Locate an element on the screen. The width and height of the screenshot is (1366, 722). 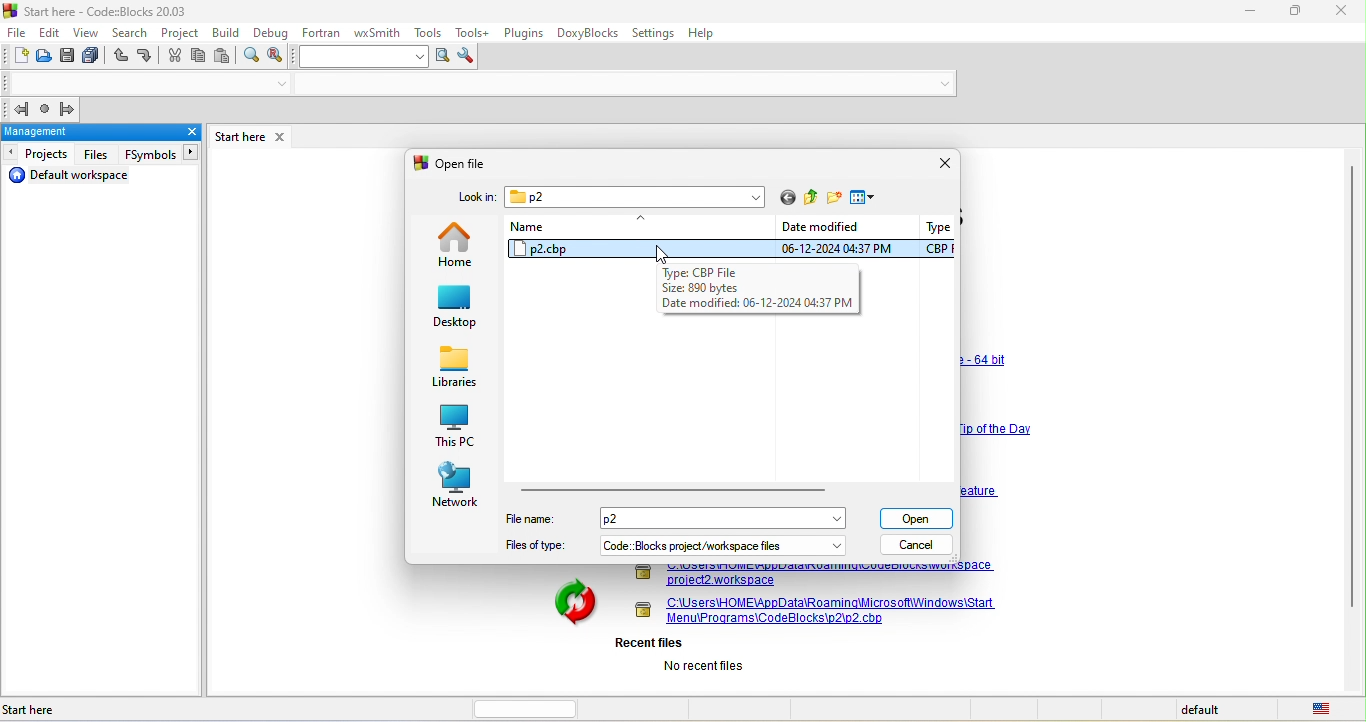
default workspacet is located at coordinates (75, 176).